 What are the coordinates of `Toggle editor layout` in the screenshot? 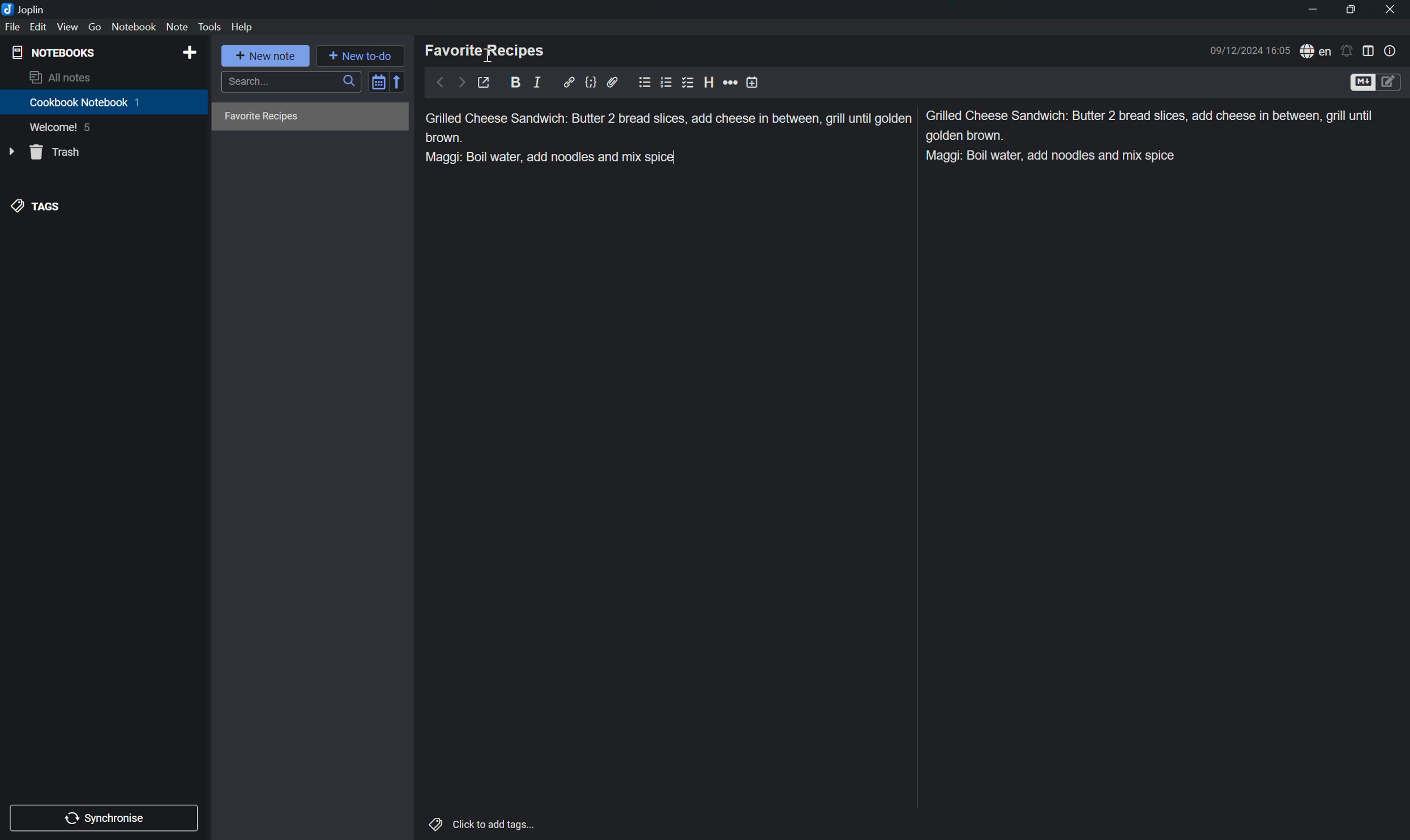 It's located at (1371, 50).